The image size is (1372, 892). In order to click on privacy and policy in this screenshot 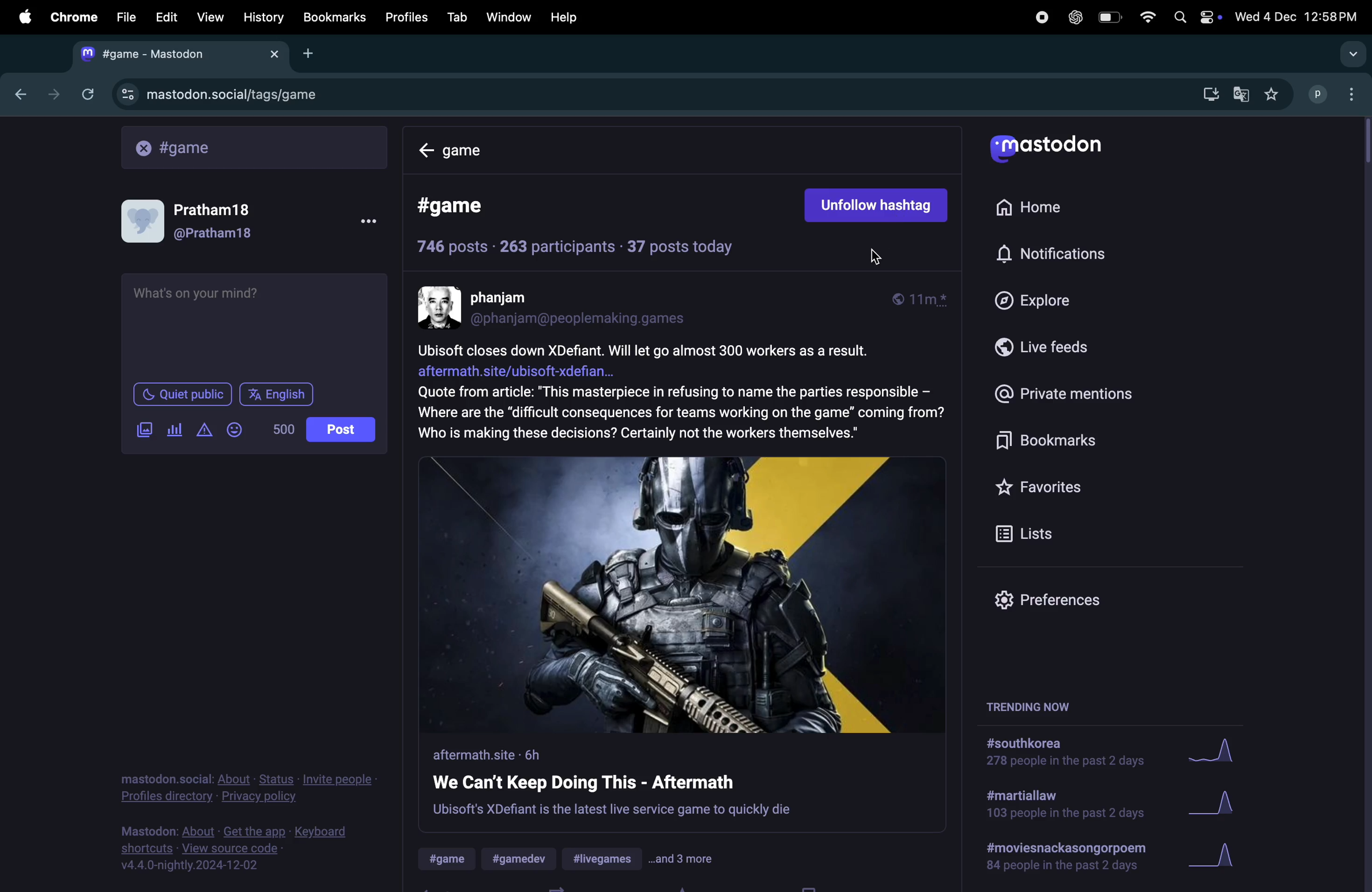, I will do `click(251, 788)`.